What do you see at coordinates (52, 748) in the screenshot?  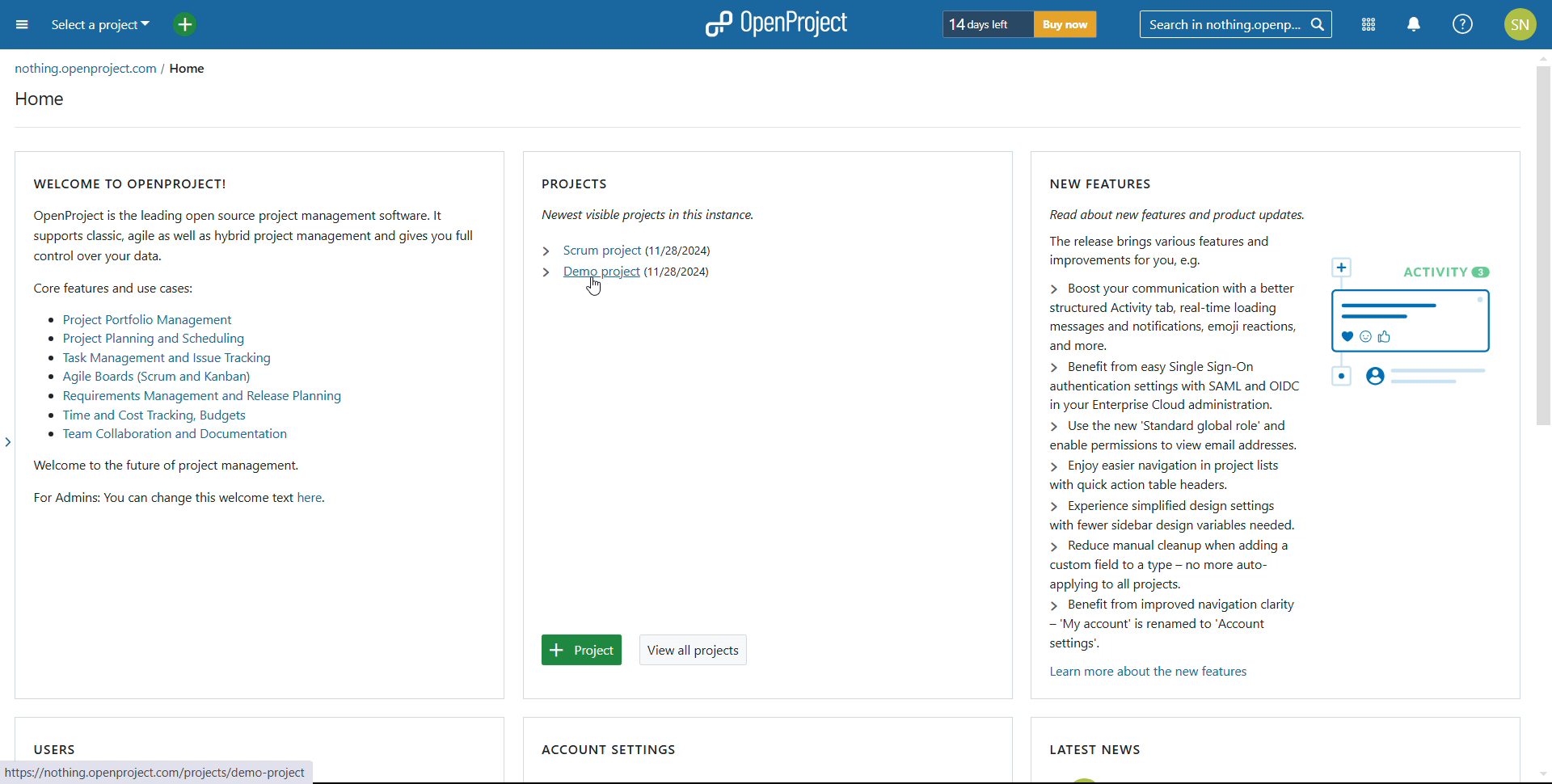 I see `users` at bounding box center [52, 748].